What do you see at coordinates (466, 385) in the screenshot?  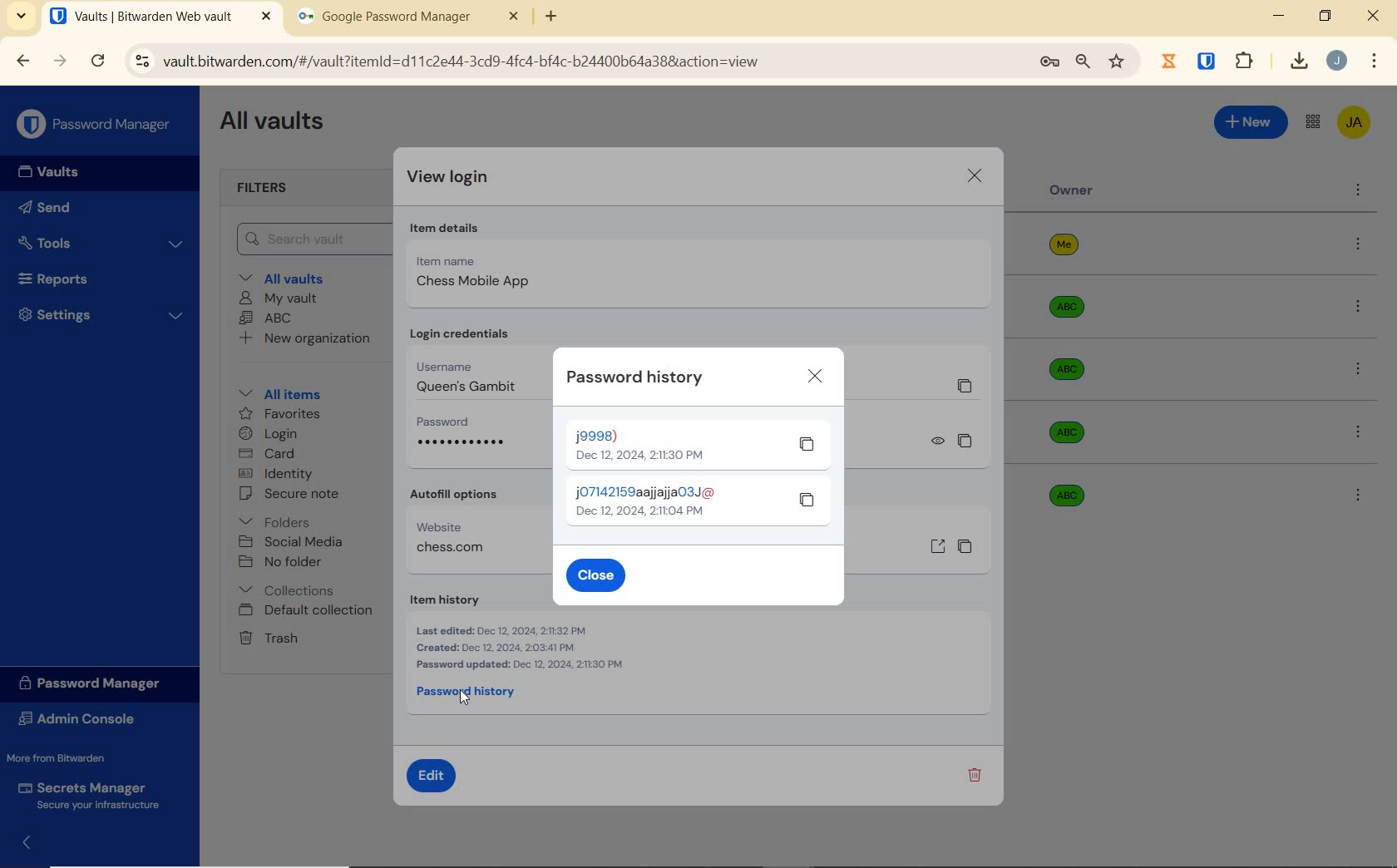 I see `queen's gambit` at bounding box center [466, 385].